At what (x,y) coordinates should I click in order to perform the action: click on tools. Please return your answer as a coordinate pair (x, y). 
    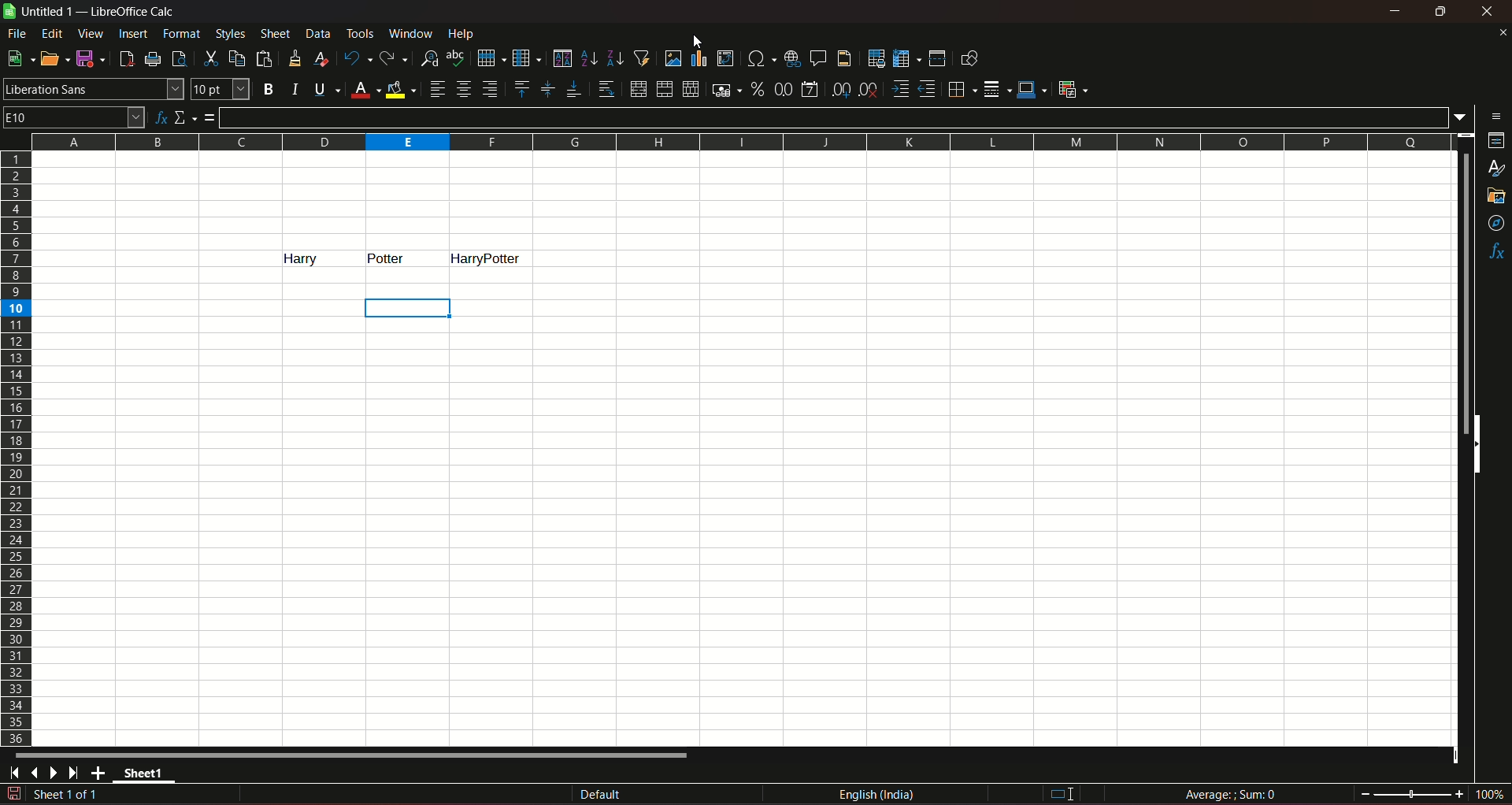
    Looking at the image, I should click on (361, 33).